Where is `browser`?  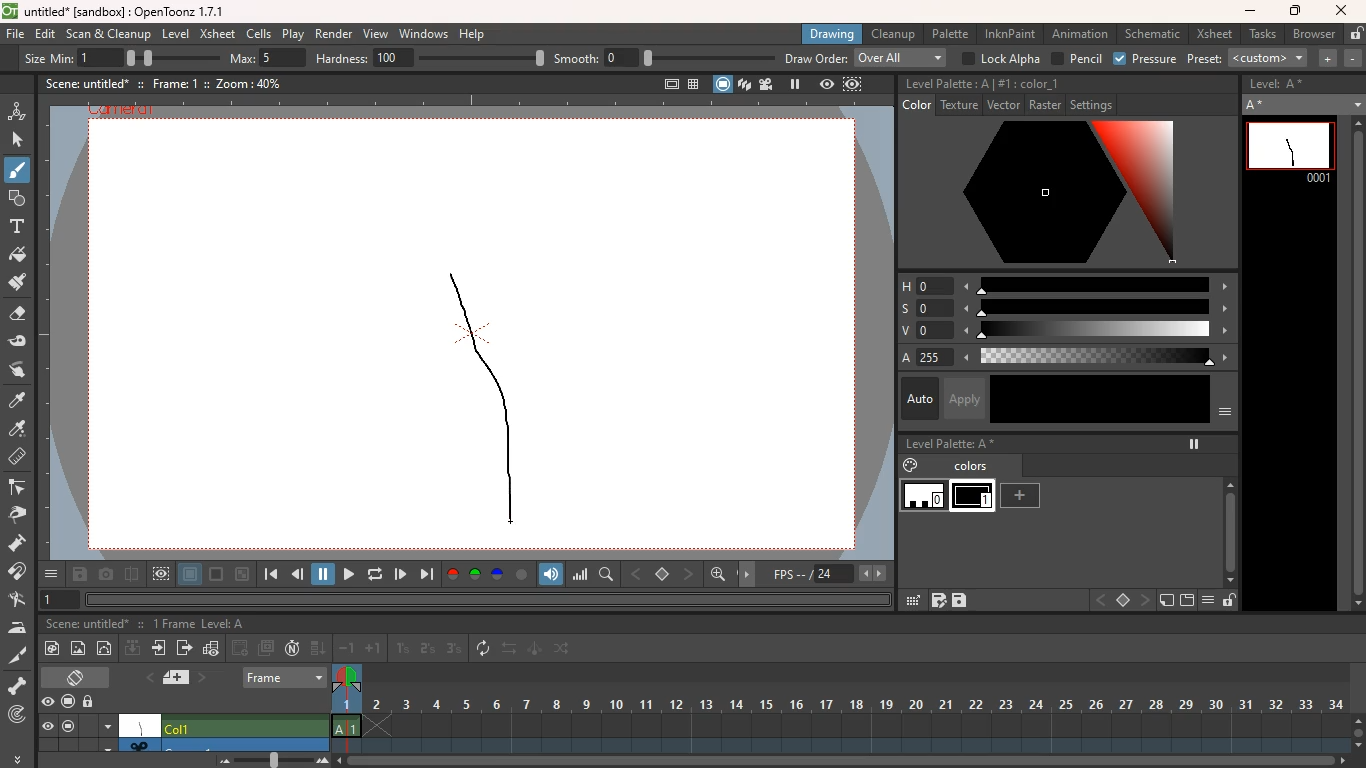
browser is located at coordinates (1312, 33).